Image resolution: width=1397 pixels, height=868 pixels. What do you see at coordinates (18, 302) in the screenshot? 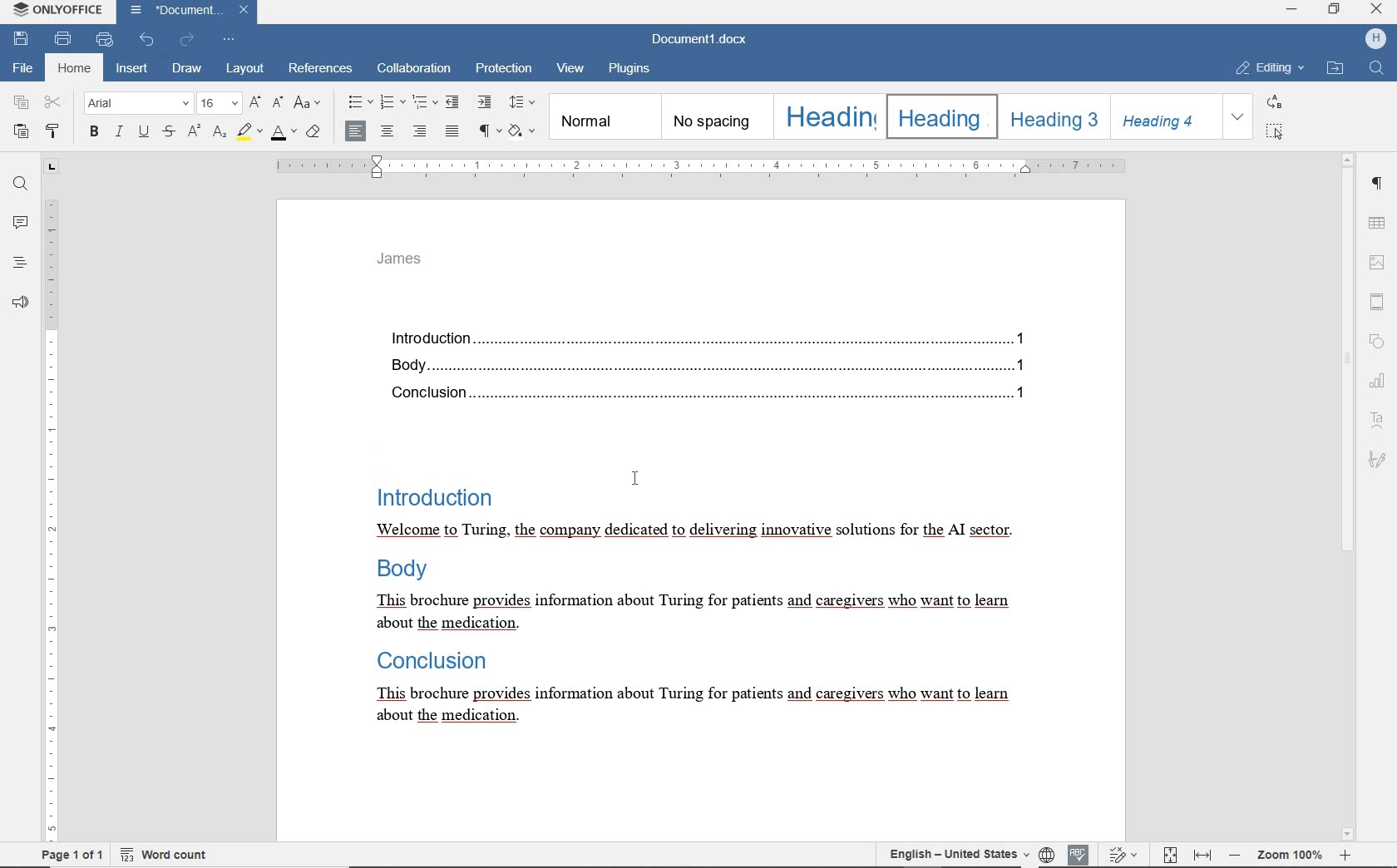
I see `feedback & support` at bounding box center [18, 302].